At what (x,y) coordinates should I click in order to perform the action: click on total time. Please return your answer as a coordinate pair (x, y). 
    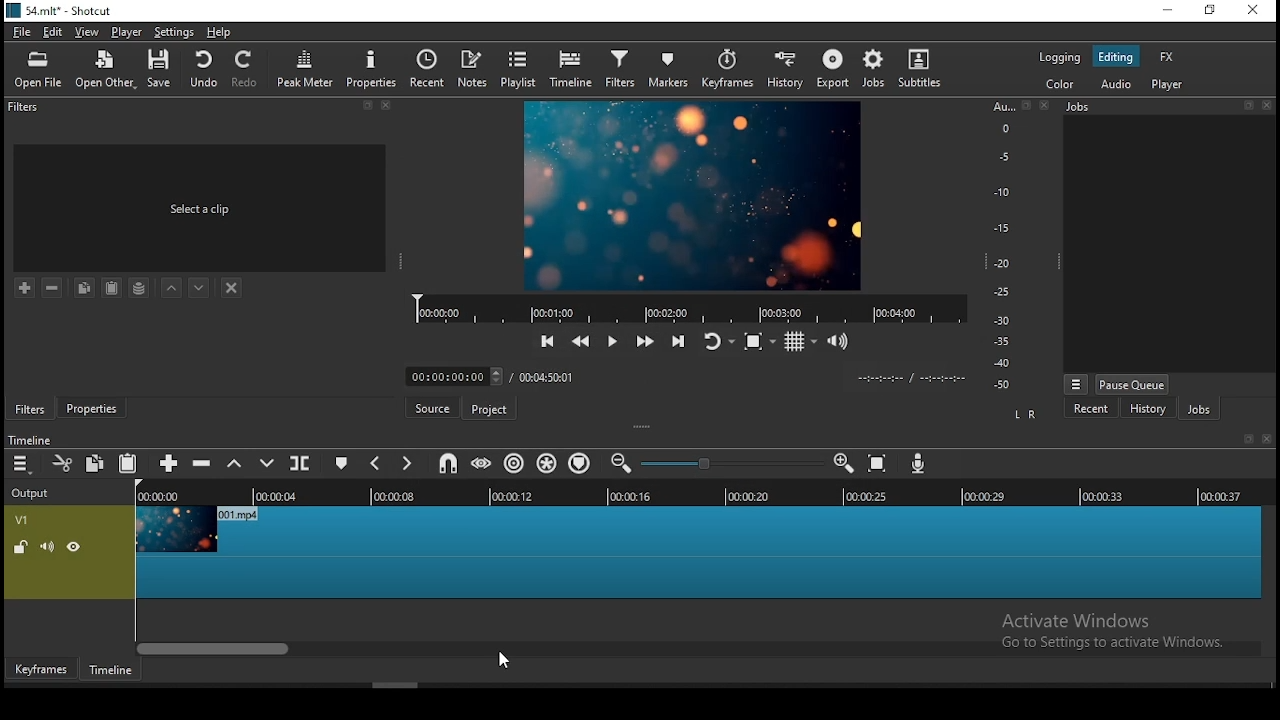
    Looking at the image, I should click on (545, 379).